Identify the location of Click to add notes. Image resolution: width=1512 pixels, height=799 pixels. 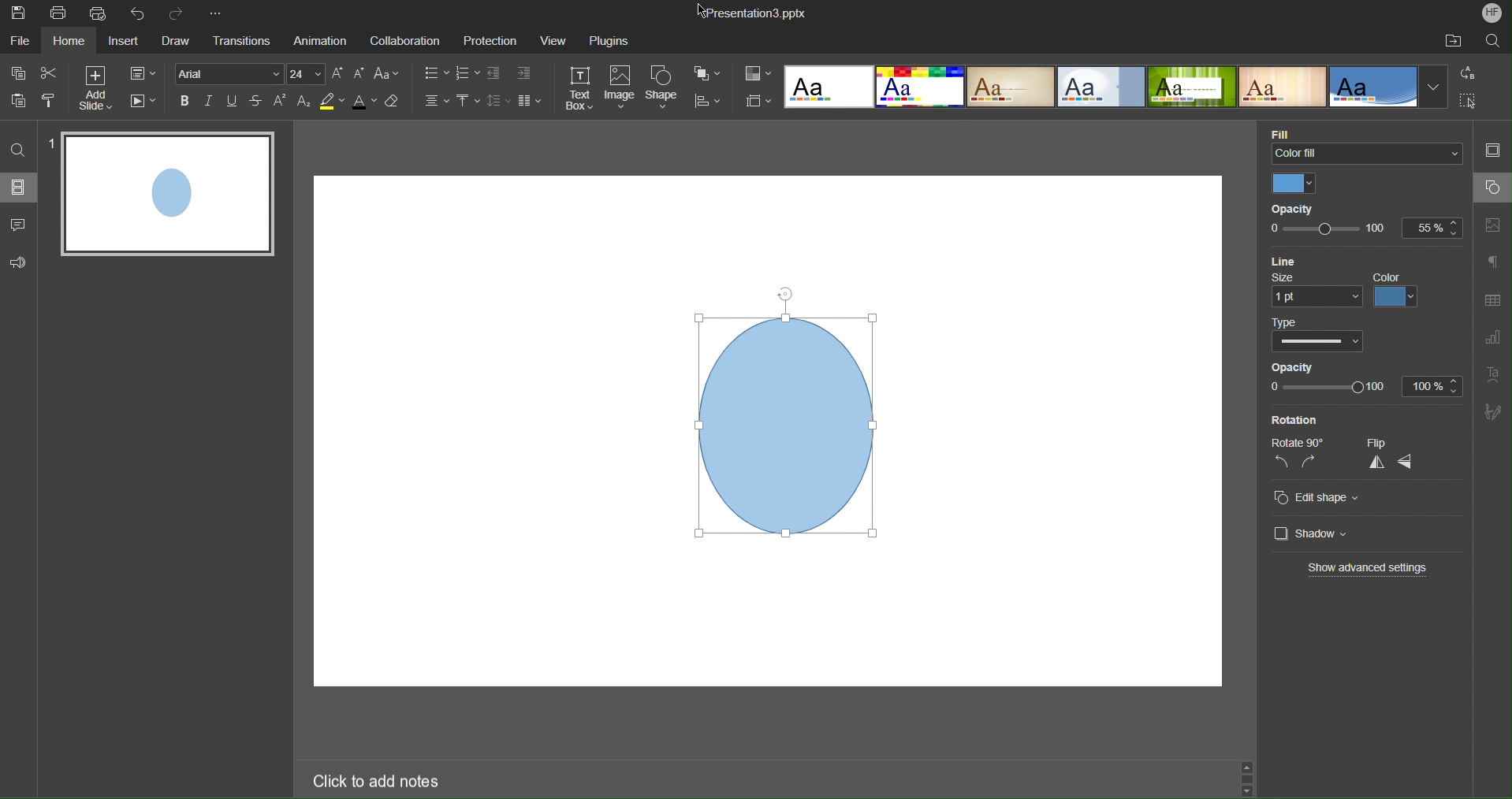
(378, 781).